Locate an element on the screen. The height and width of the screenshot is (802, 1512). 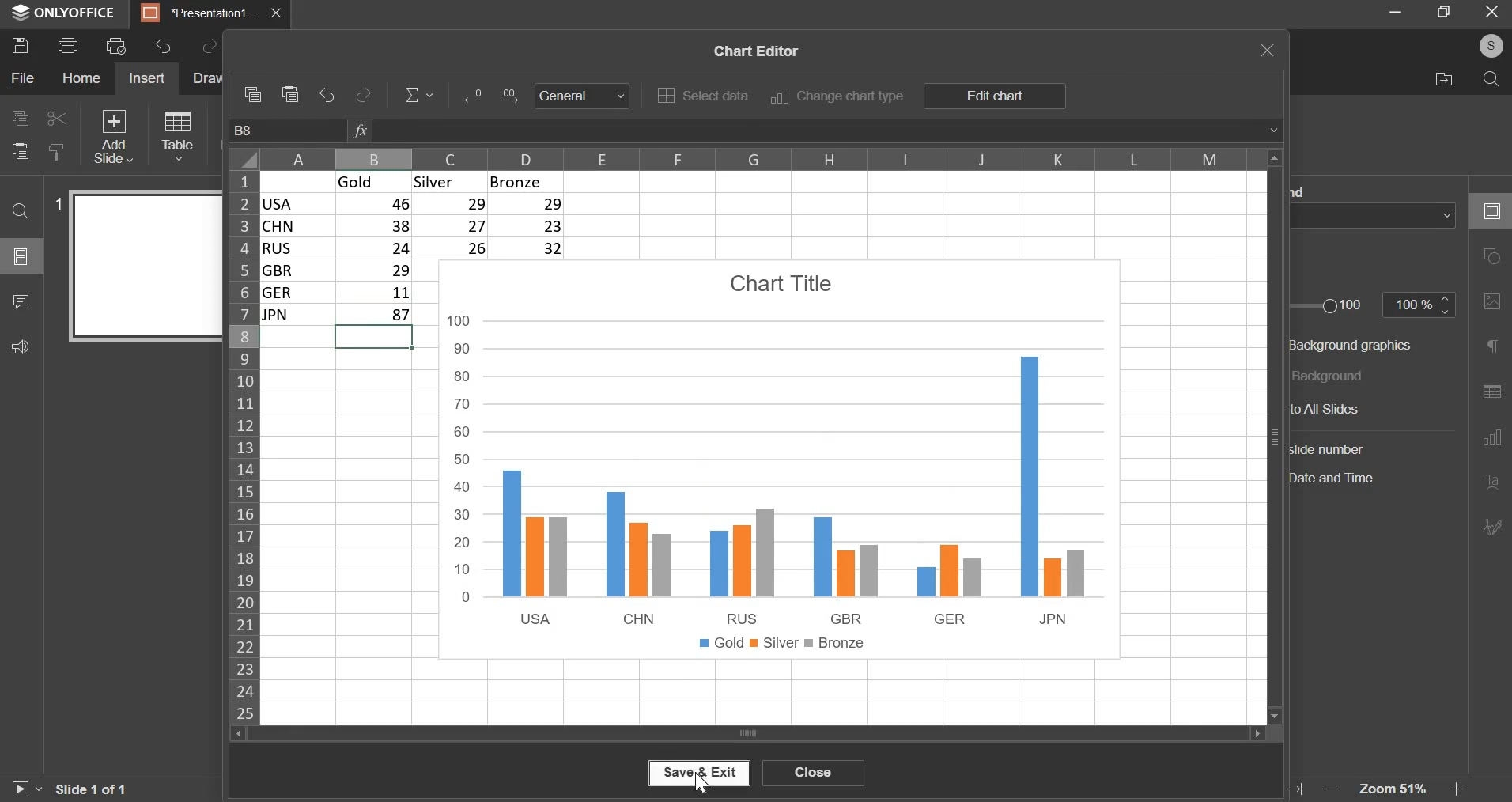
rus is located at coordinates (296, 248).